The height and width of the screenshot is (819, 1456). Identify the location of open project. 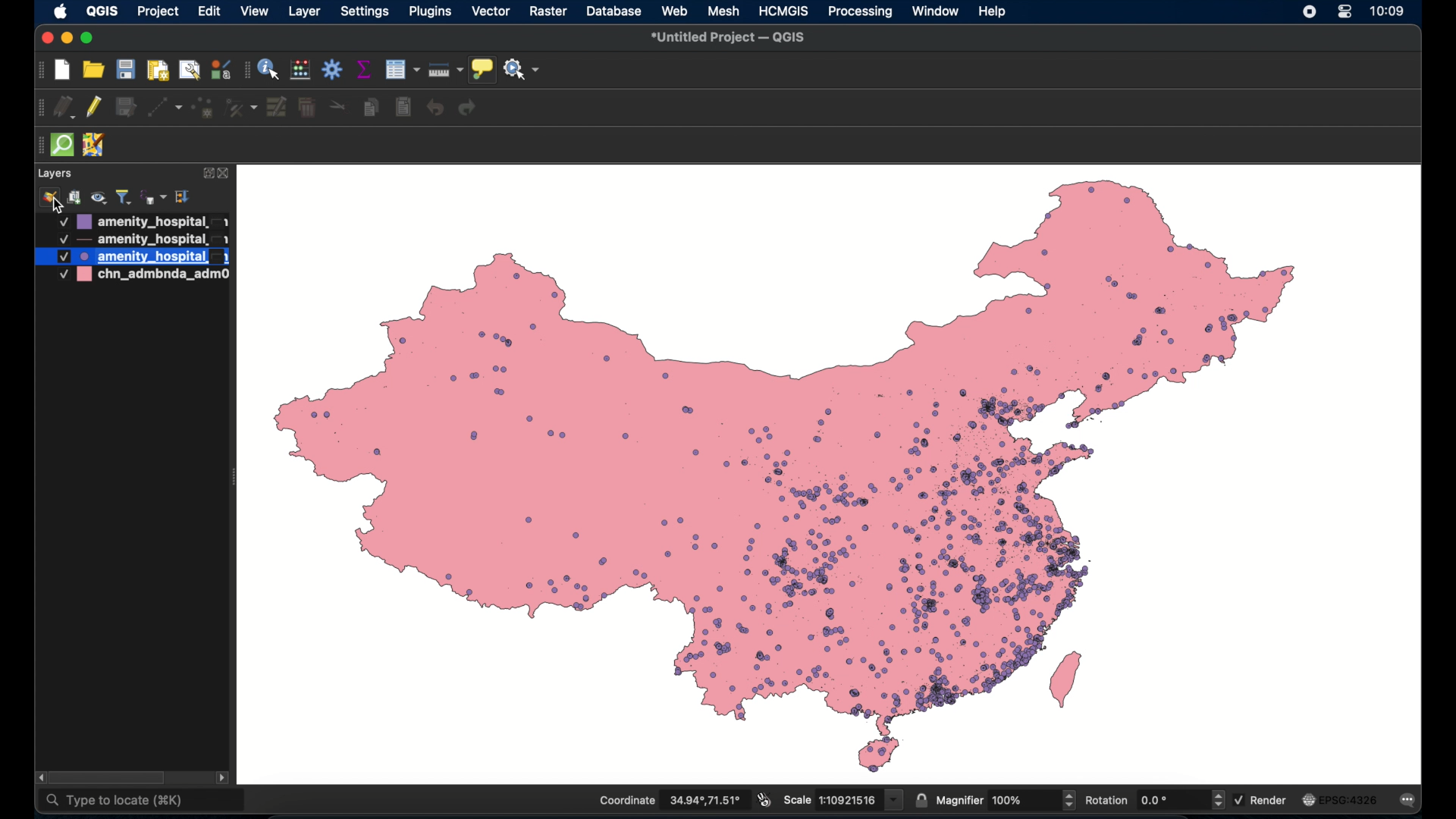
(93, 70).